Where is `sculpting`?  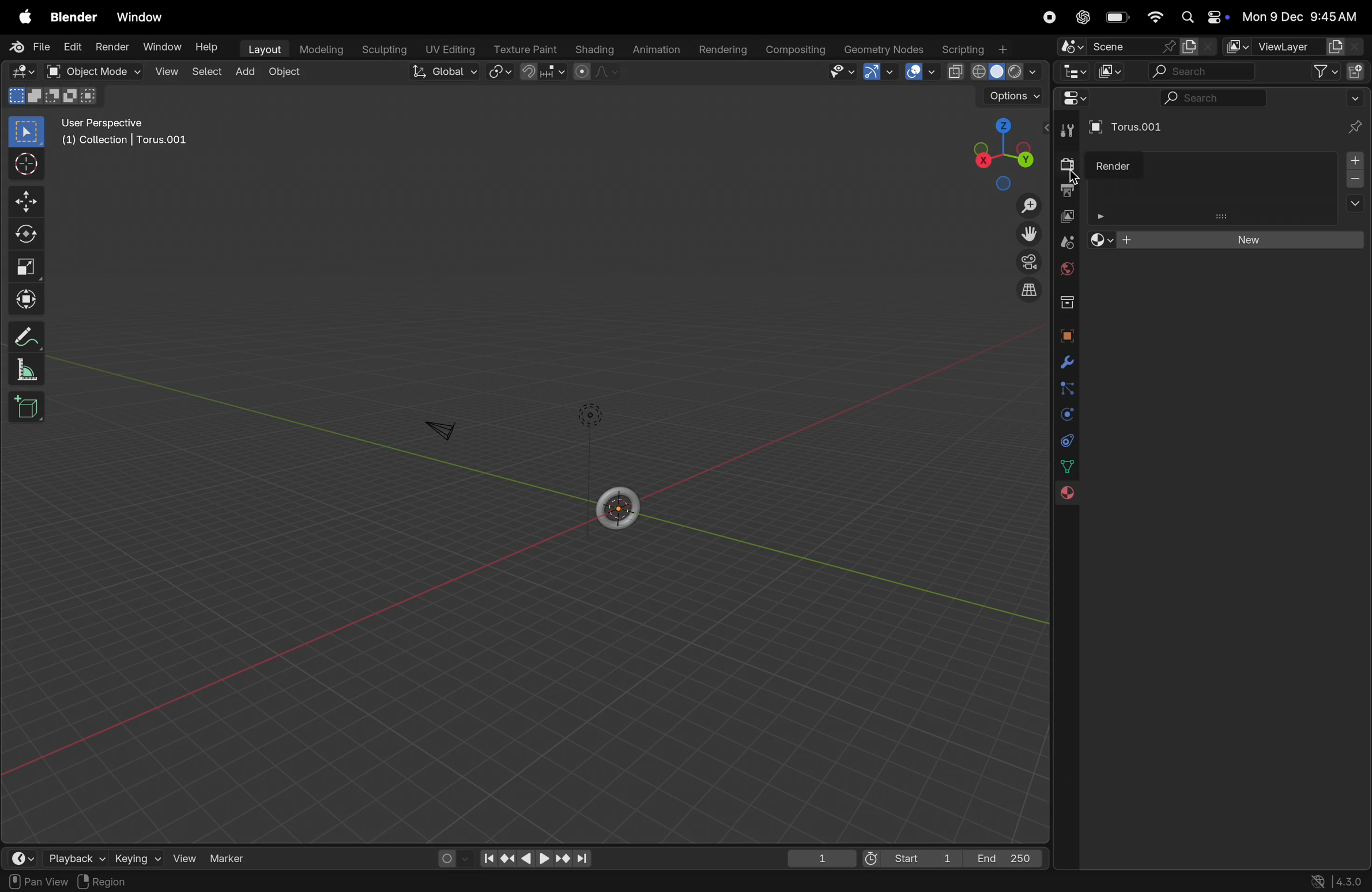 sculpting is located at coordinates (382, 47).